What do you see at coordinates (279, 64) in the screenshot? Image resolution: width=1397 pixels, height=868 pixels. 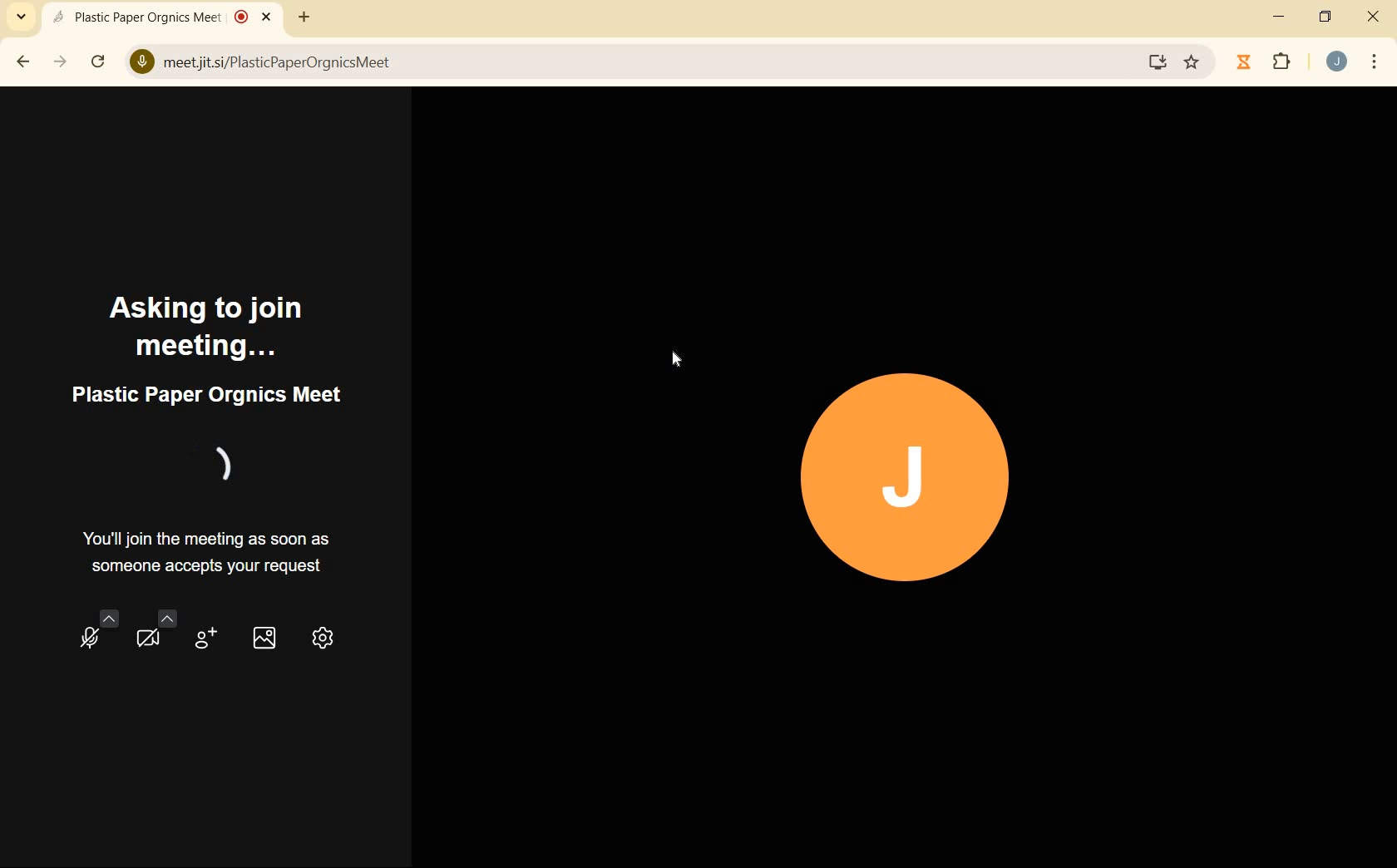 I see `meeting URL` at bounding box center [279, 64].